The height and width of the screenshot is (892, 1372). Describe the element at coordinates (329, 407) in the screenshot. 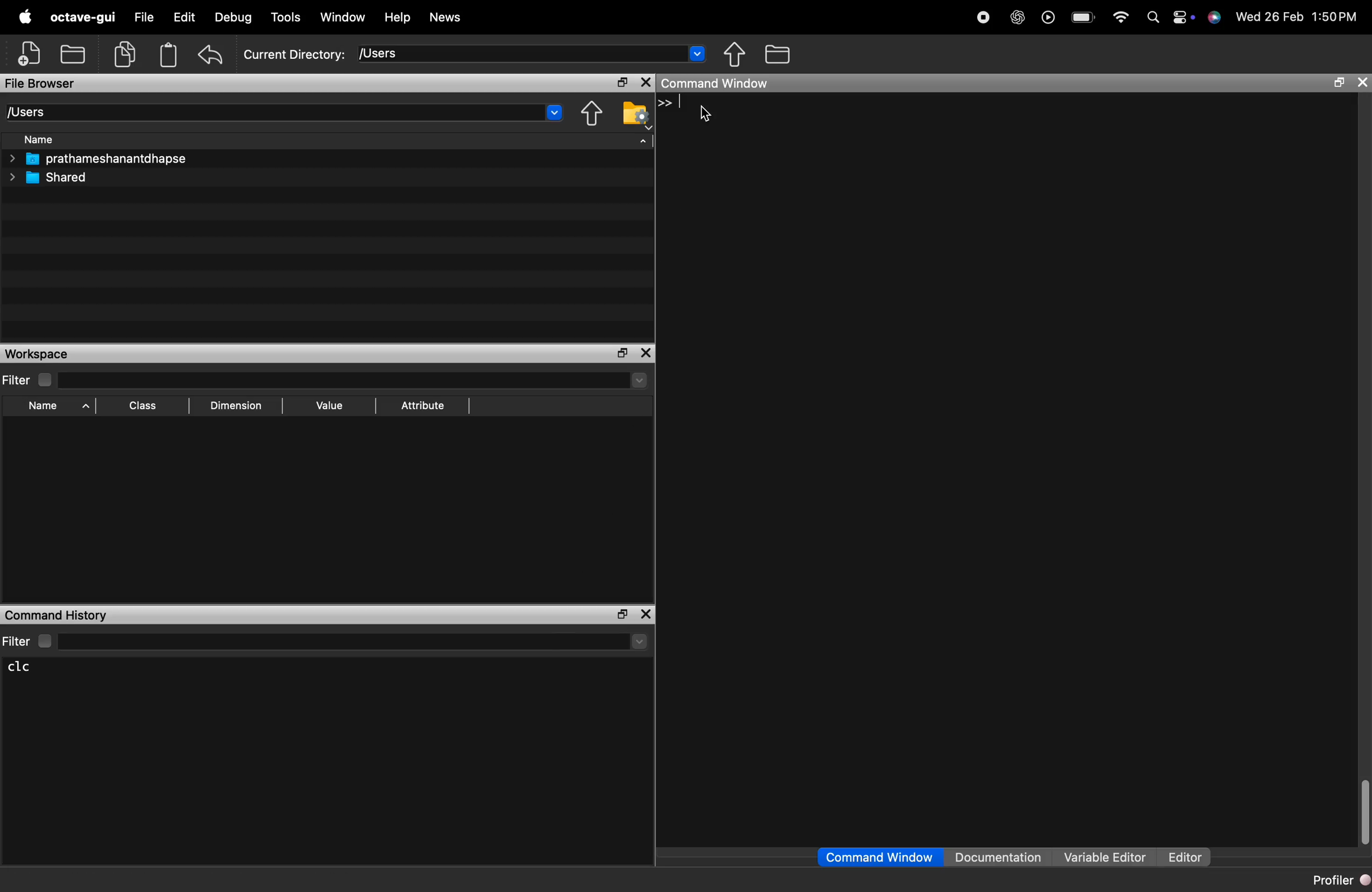

I see `Value` at that location.